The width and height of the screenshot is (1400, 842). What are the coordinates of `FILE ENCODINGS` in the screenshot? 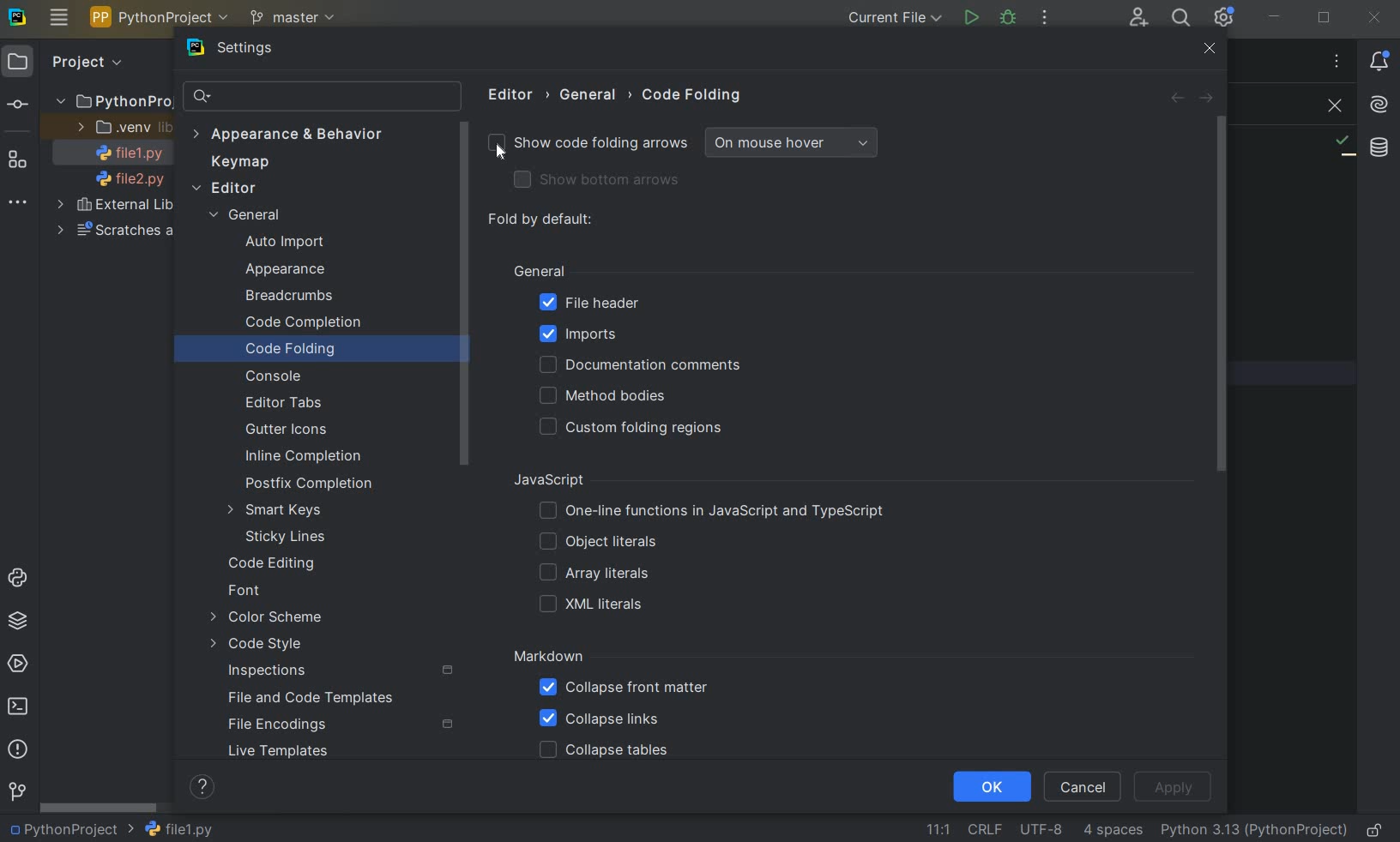 It's located at (340, 725).